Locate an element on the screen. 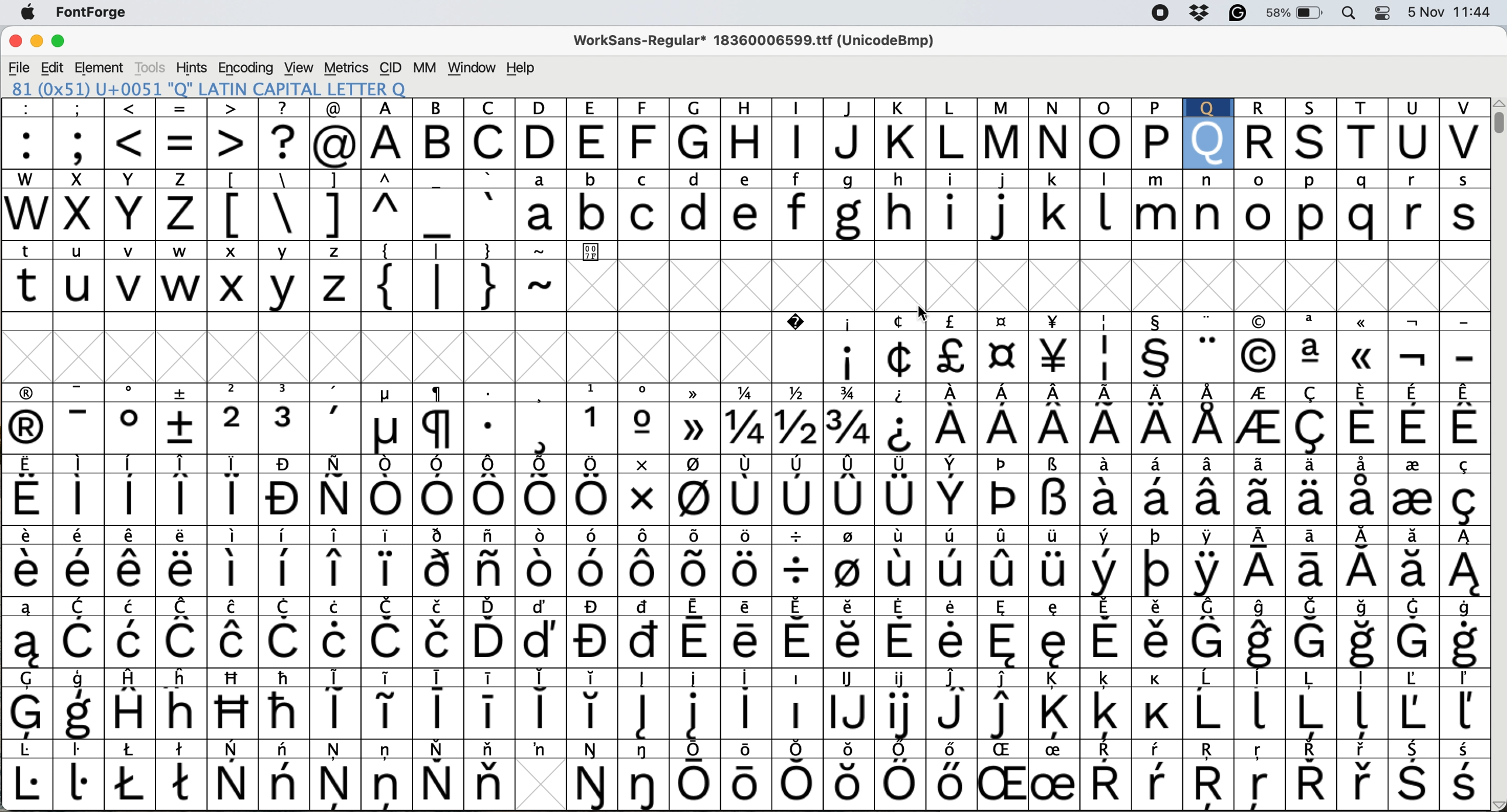  uppercase letters is located at coordinates (1358, 142).